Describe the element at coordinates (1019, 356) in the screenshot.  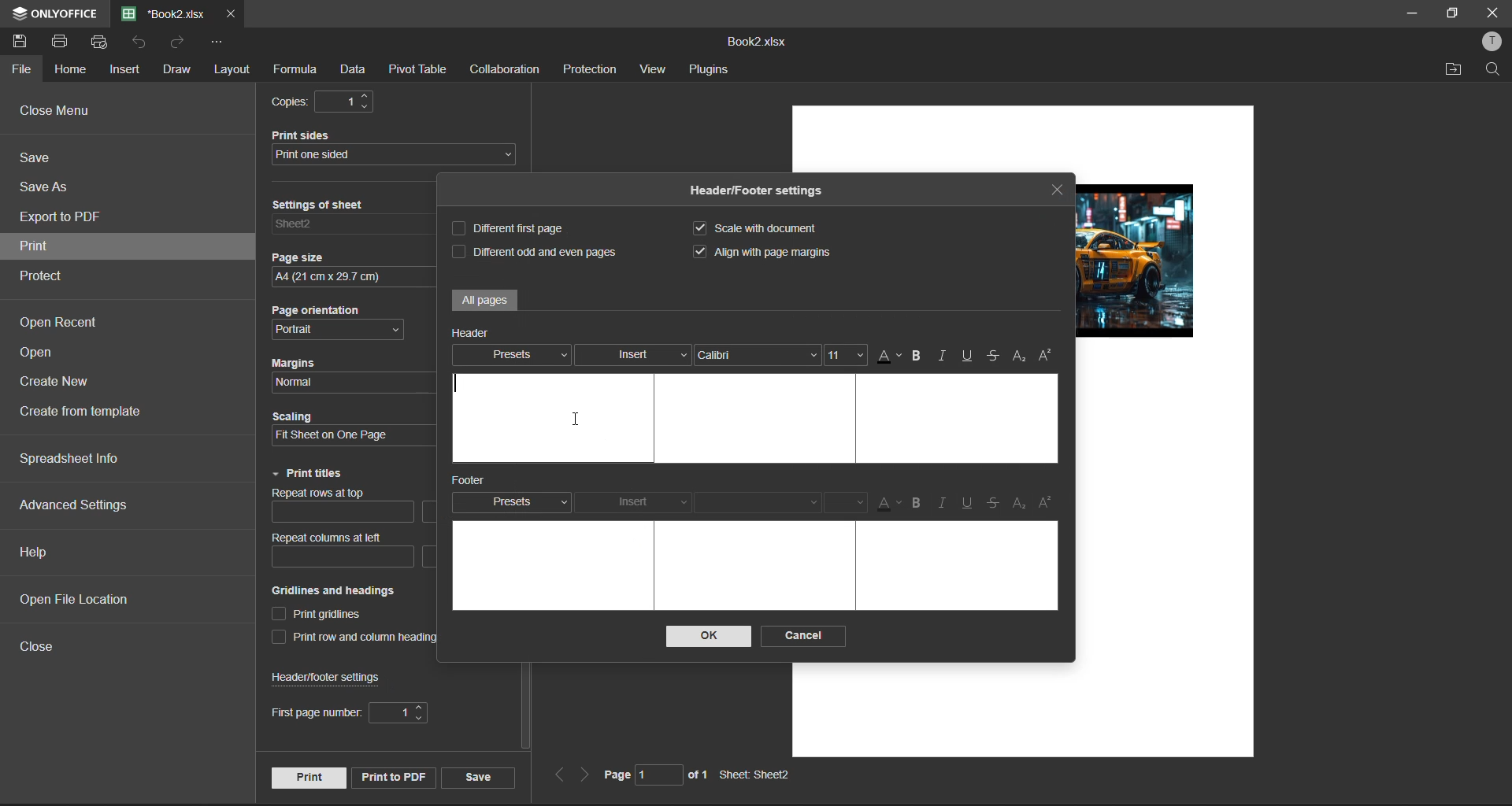
I see `subscript` at that location.